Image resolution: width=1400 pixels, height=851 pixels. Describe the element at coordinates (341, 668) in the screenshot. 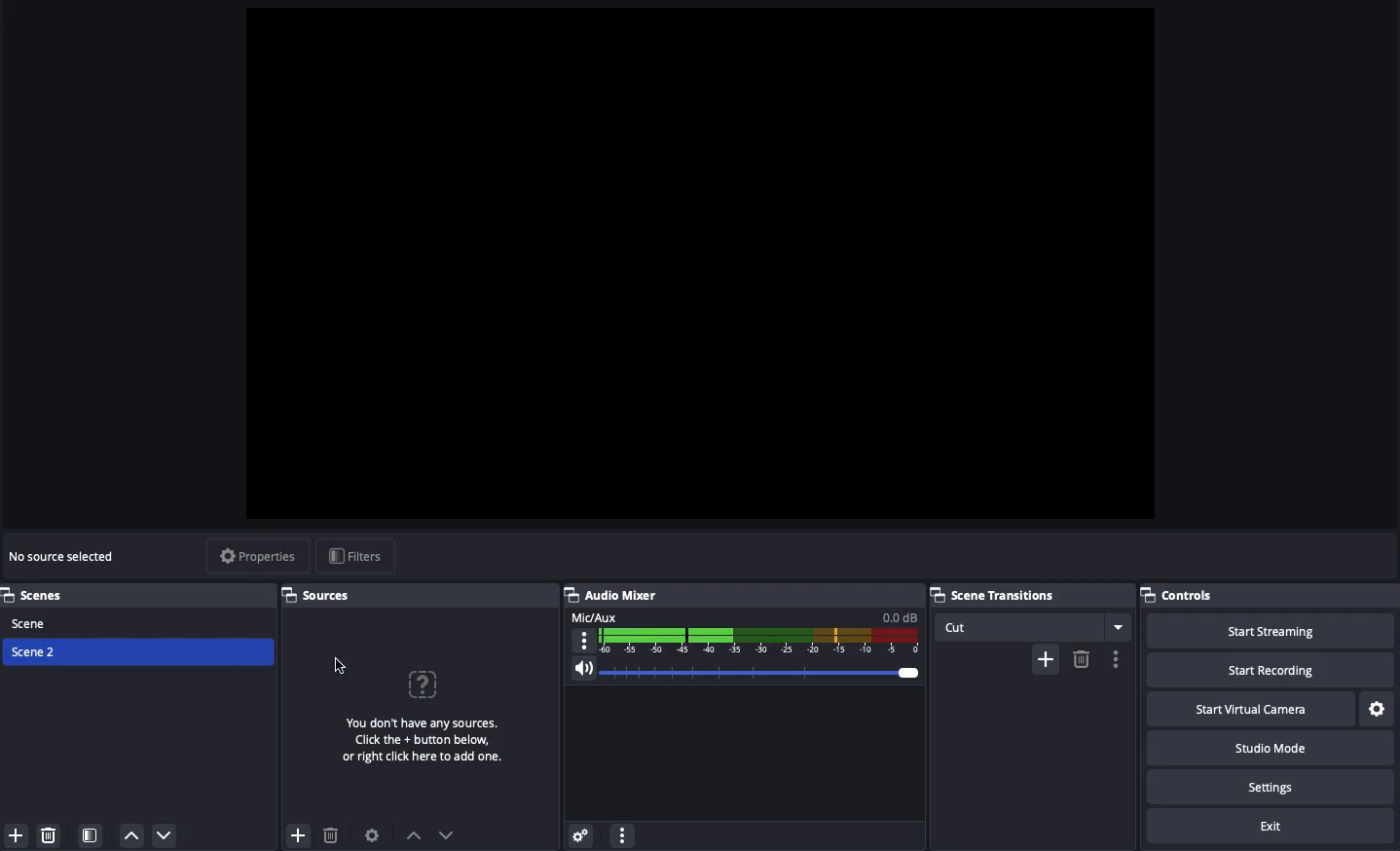

I see `Click` at that location.